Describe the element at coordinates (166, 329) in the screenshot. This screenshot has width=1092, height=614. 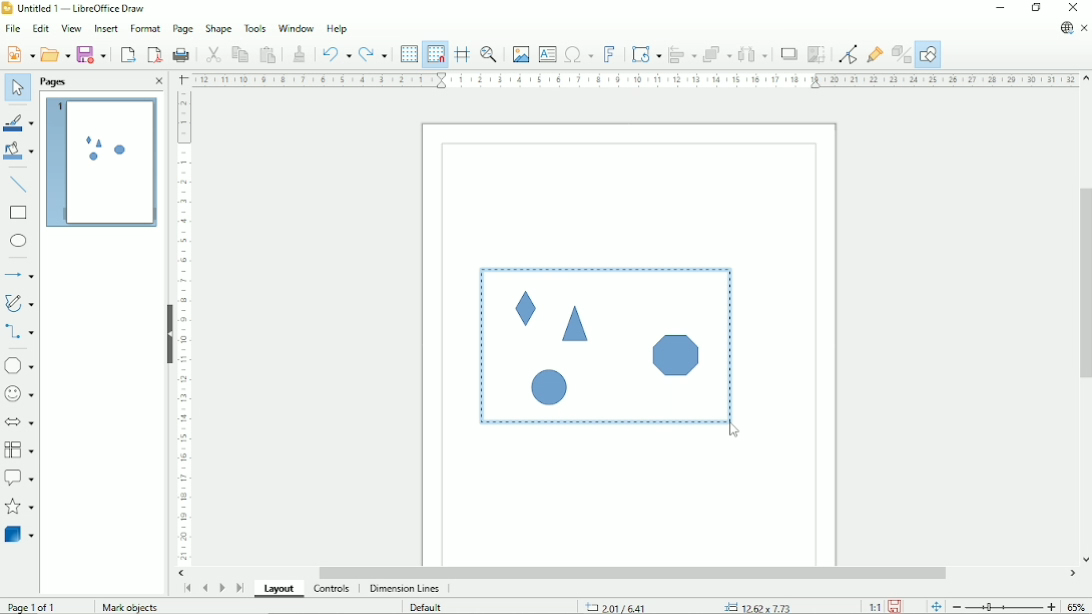
I see `Hide` at that location.